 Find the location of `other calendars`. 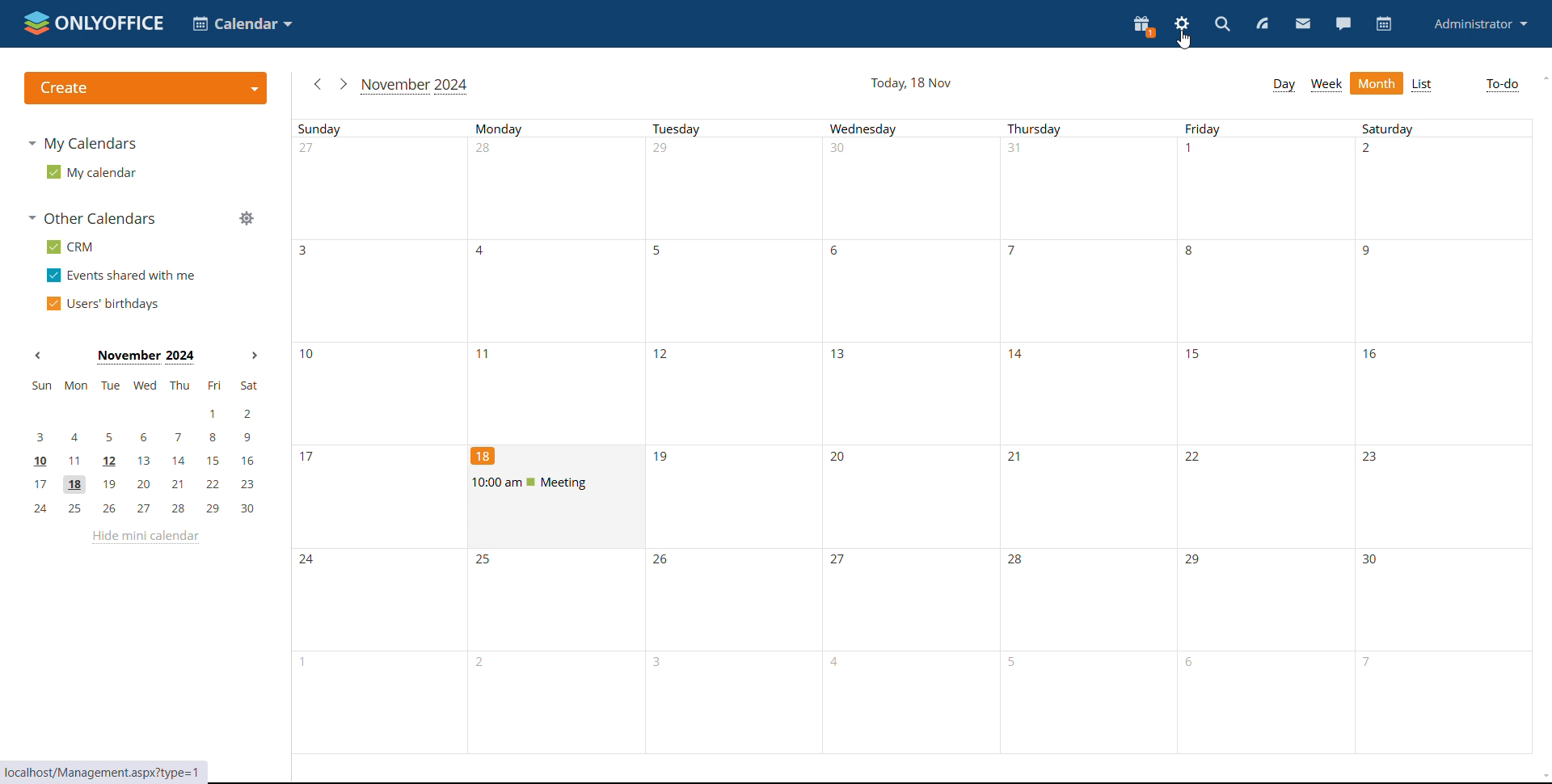

other calendars is located at coordinates (92, 218).